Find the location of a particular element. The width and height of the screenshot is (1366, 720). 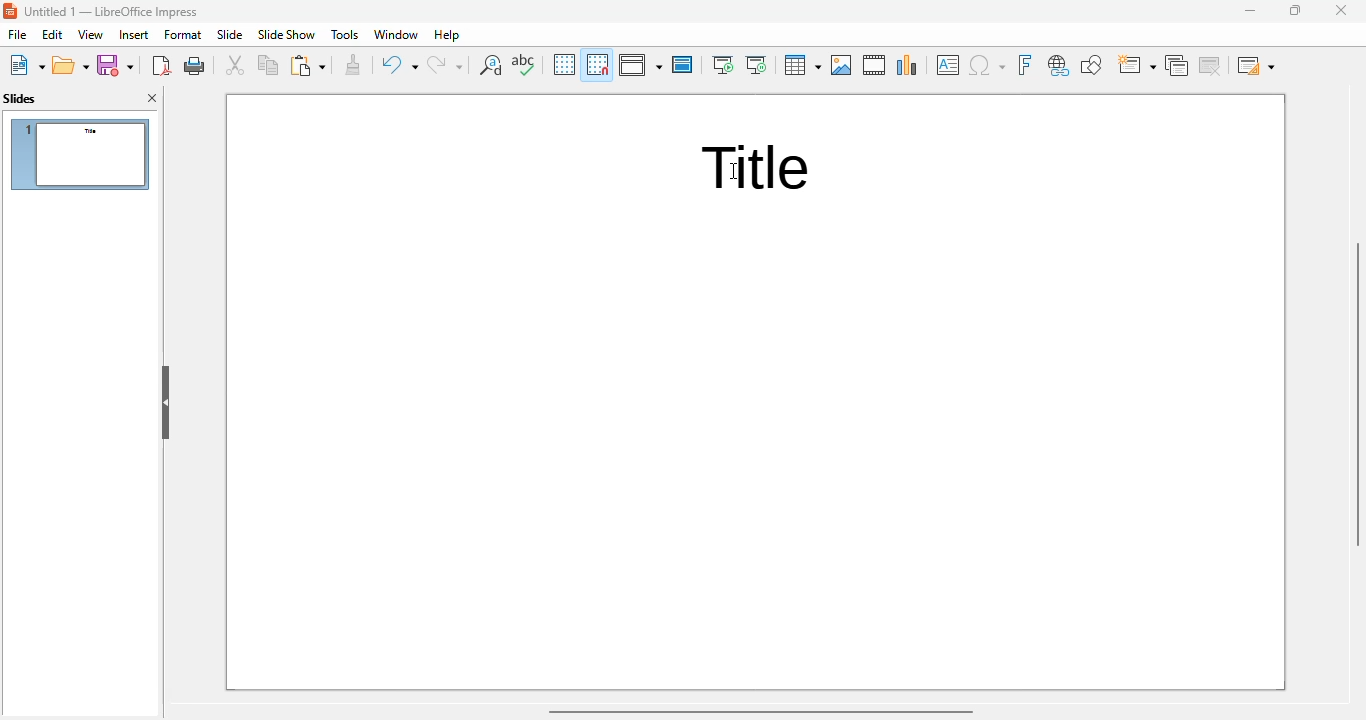

new is located at coordinates (27, 65).